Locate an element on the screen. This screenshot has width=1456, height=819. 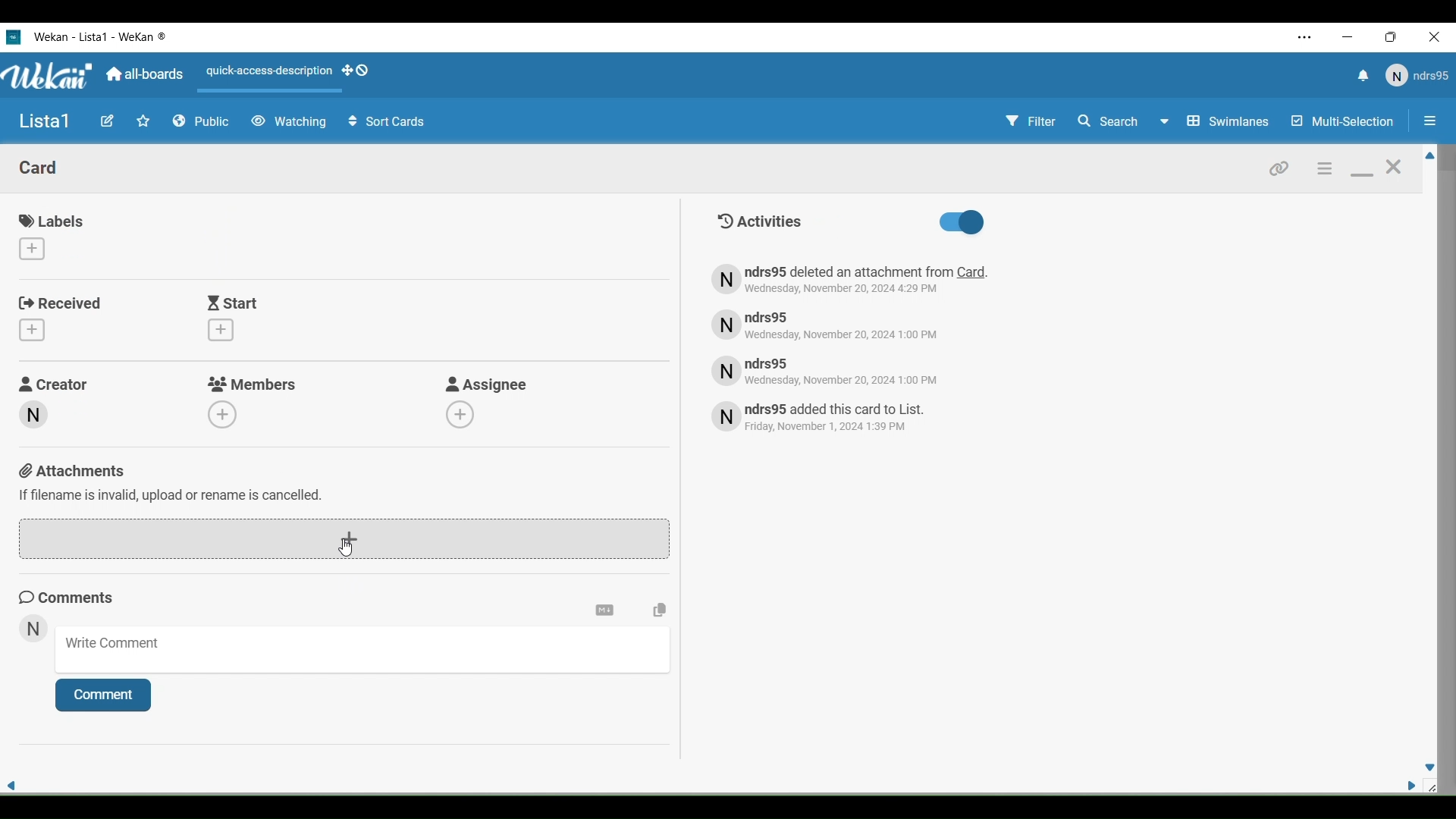
Text is located at coordinates (840, 370).